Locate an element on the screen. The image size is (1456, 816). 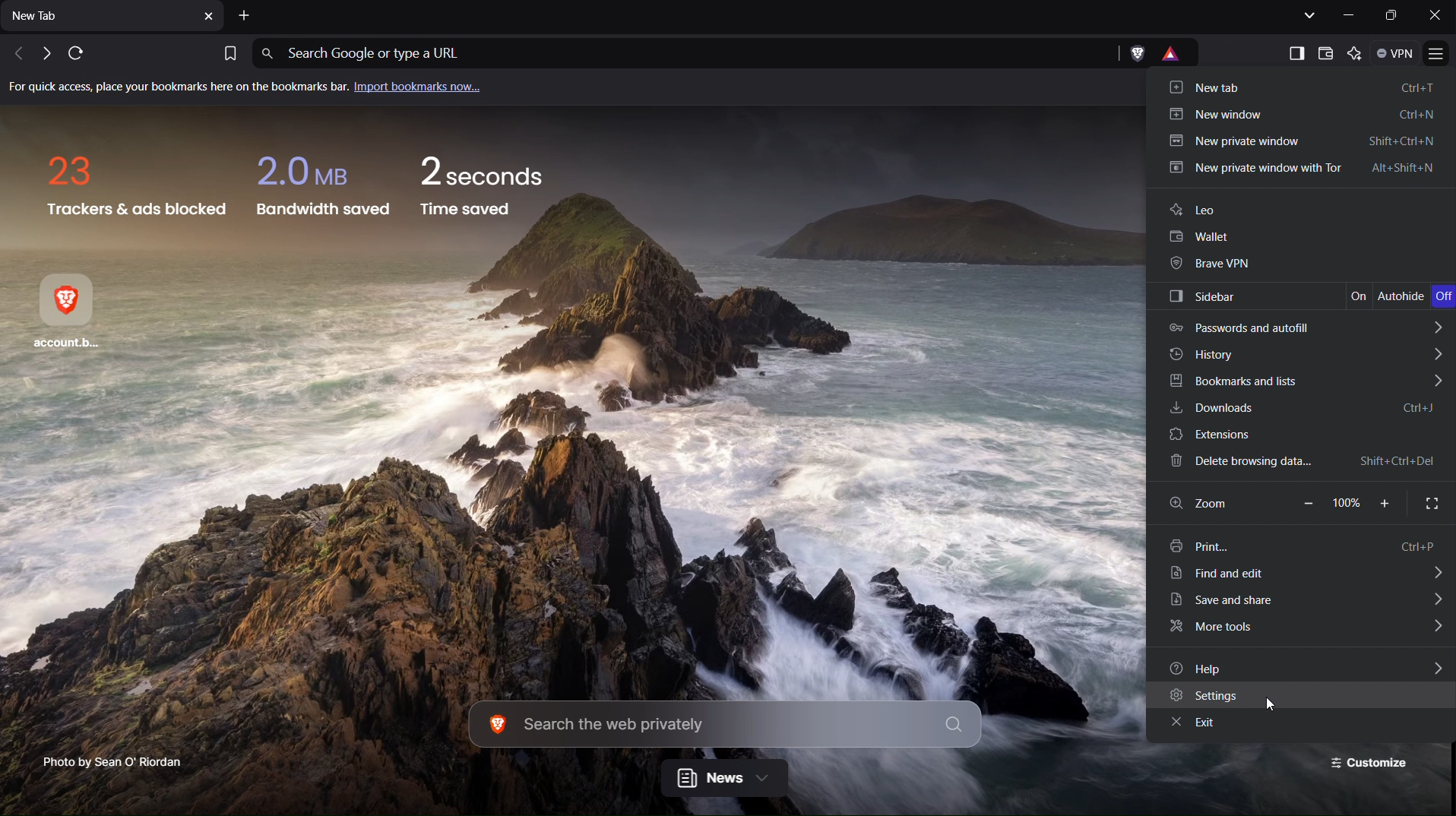
Wallet is located at coordinates (1301, 239).